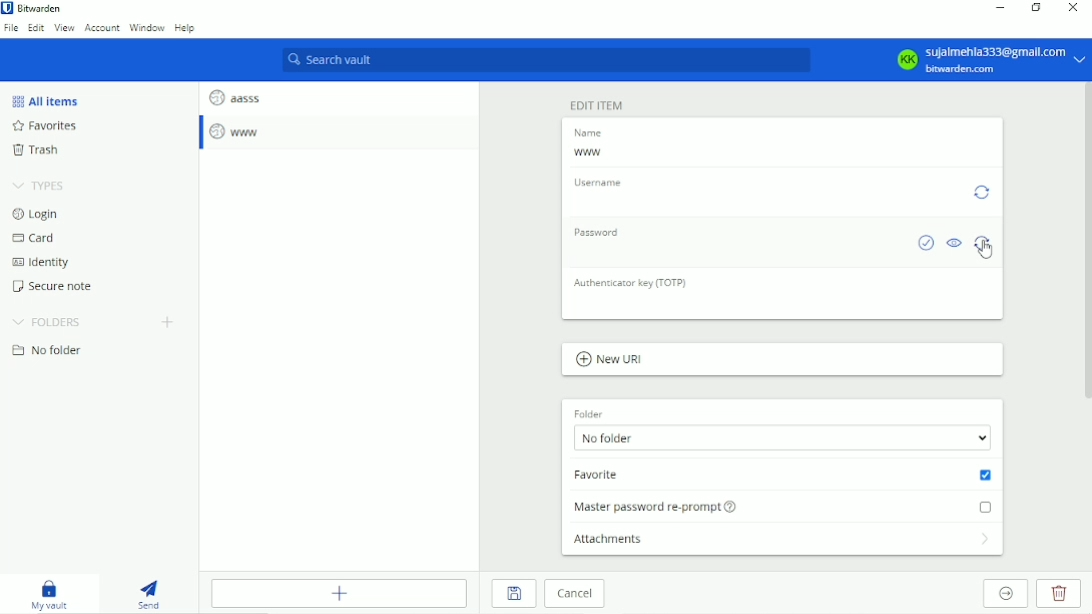 This screenshot has width=1092, height=614. Describe the element at coordinates (101, 29) in the screenshot. I see `Account` at that location.